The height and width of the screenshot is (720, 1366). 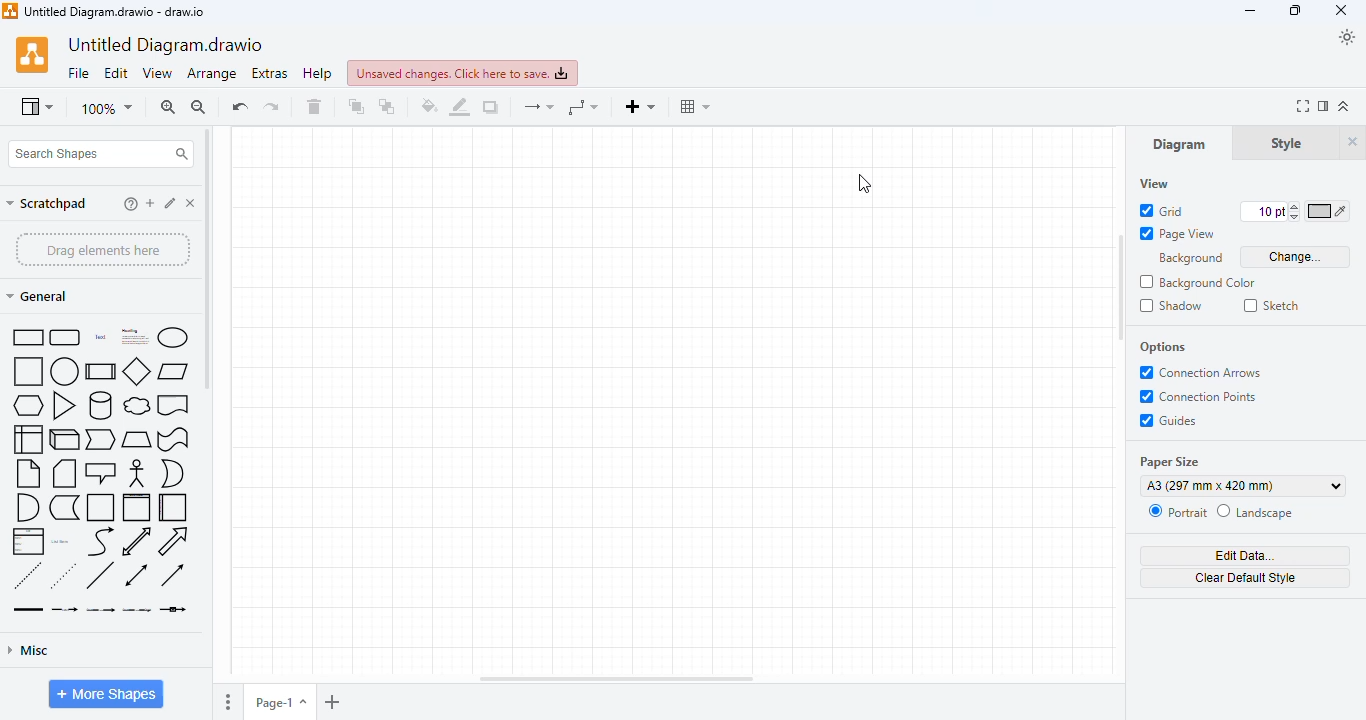 What do you see at coordinates (157, 73) in the screenshot?
I see `view` at bounding box center [157, 73].